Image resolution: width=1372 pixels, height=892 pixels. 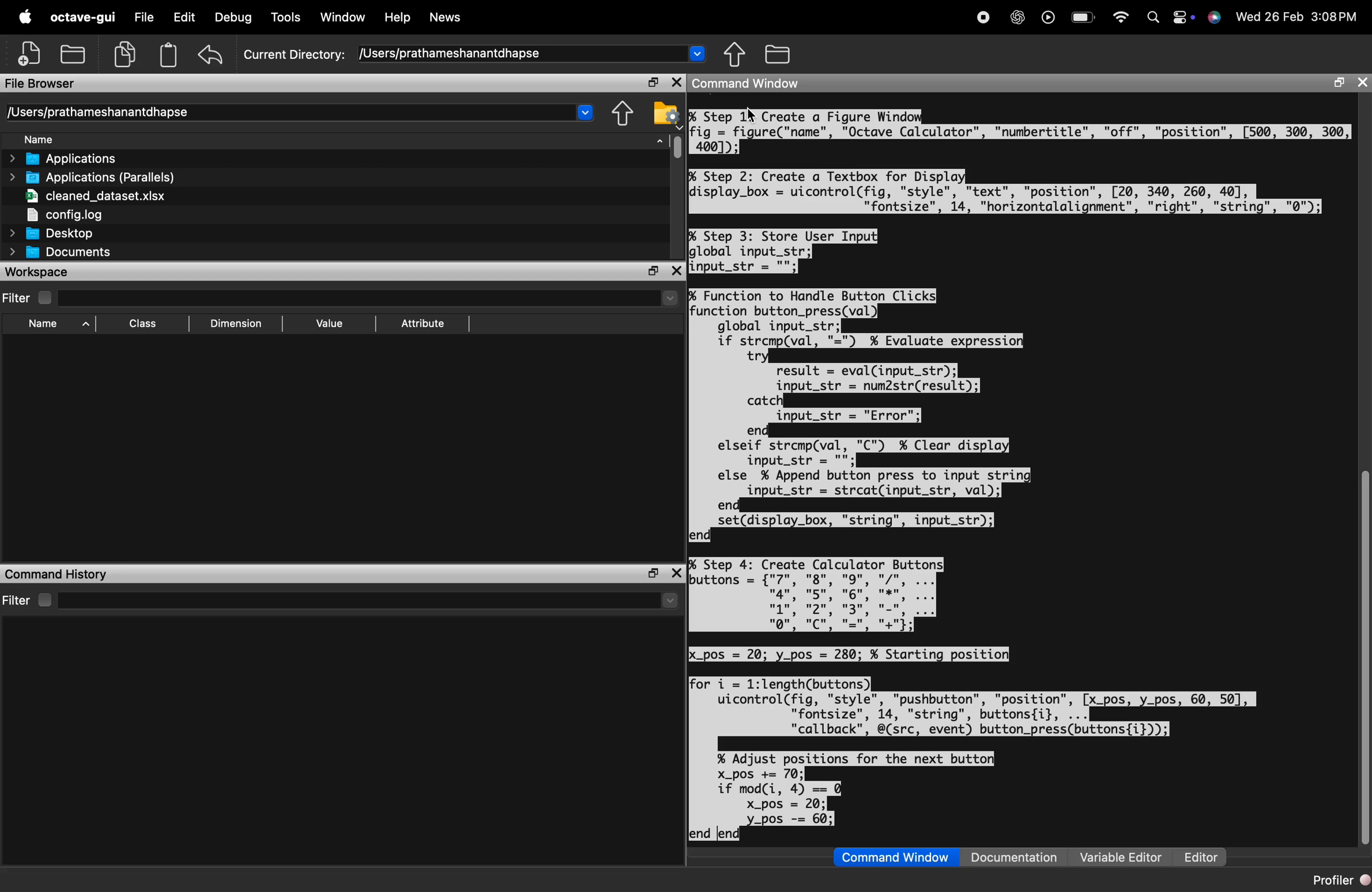 What do you see at coordinates (28, 297) in the screenshot?
I see `Filter` at bounding box center [28, 297].